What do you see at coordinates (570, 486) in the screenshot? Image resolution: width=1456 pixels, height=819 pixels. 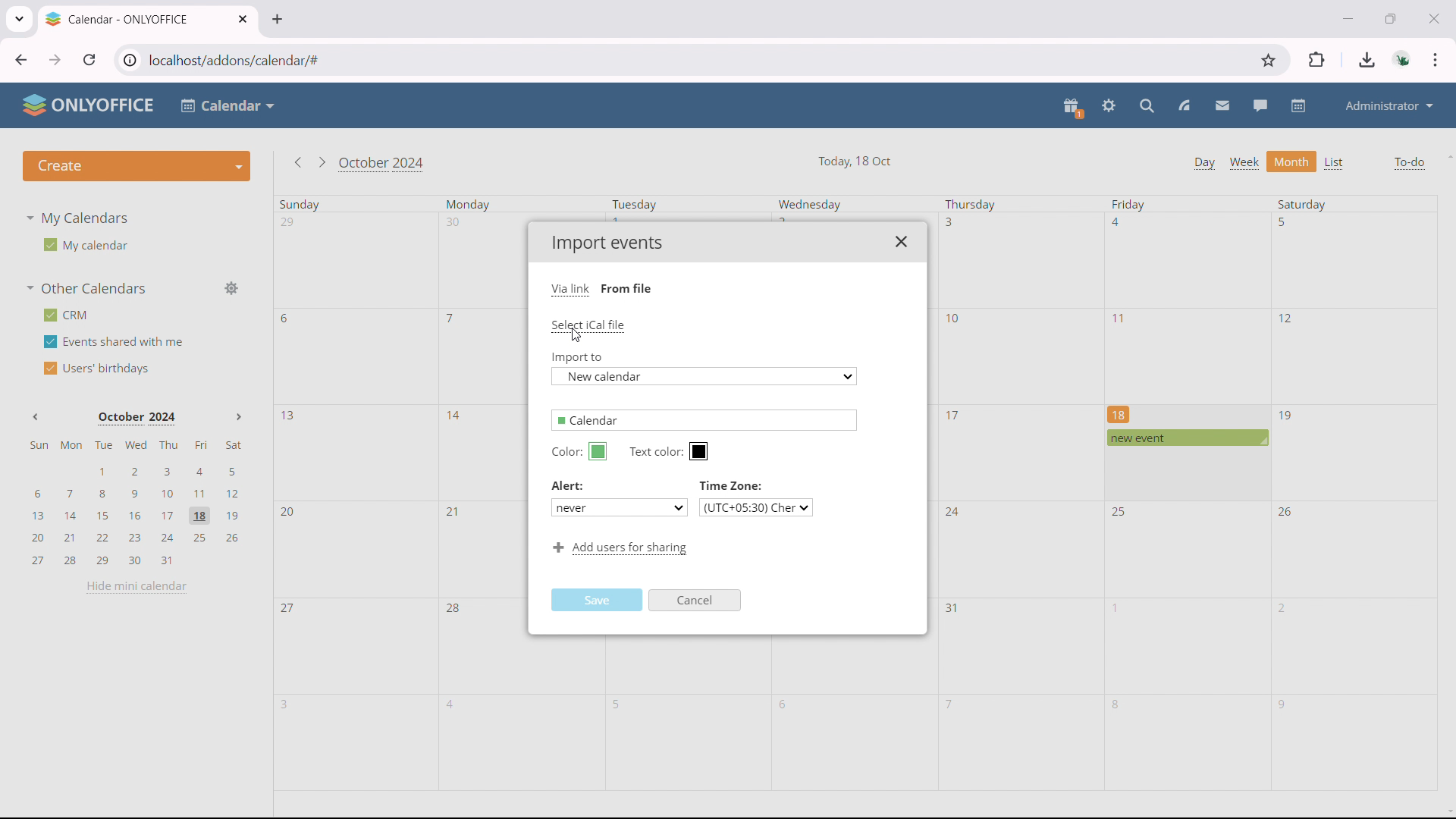 I see `Alert:` at bounding box center [570, 486].